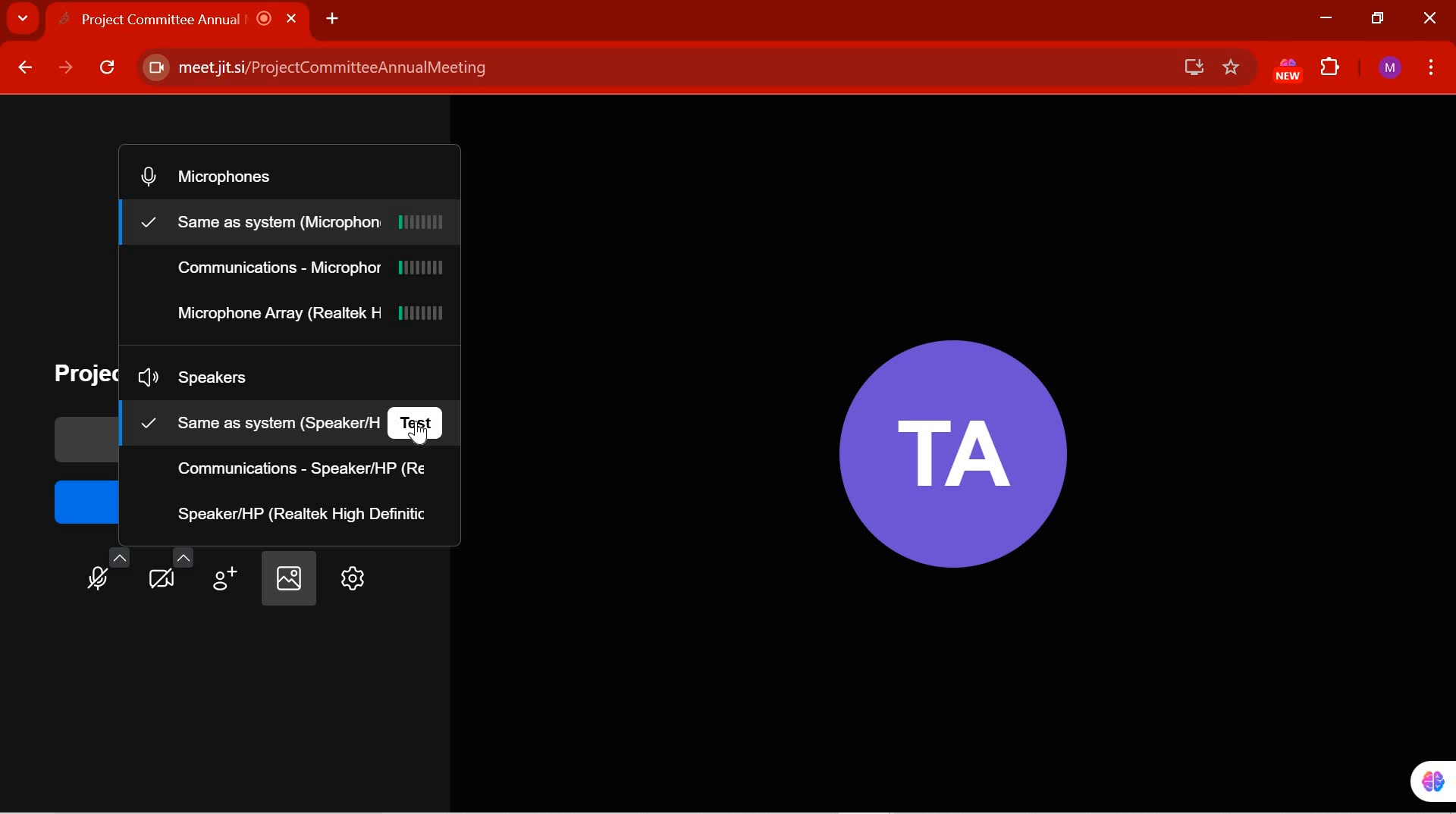 The image size is (1456, 814). What do you see at coordinates (1325, 18) in the screenshot?
I see `MINIMIZE` at bounding box center [1325, 18].